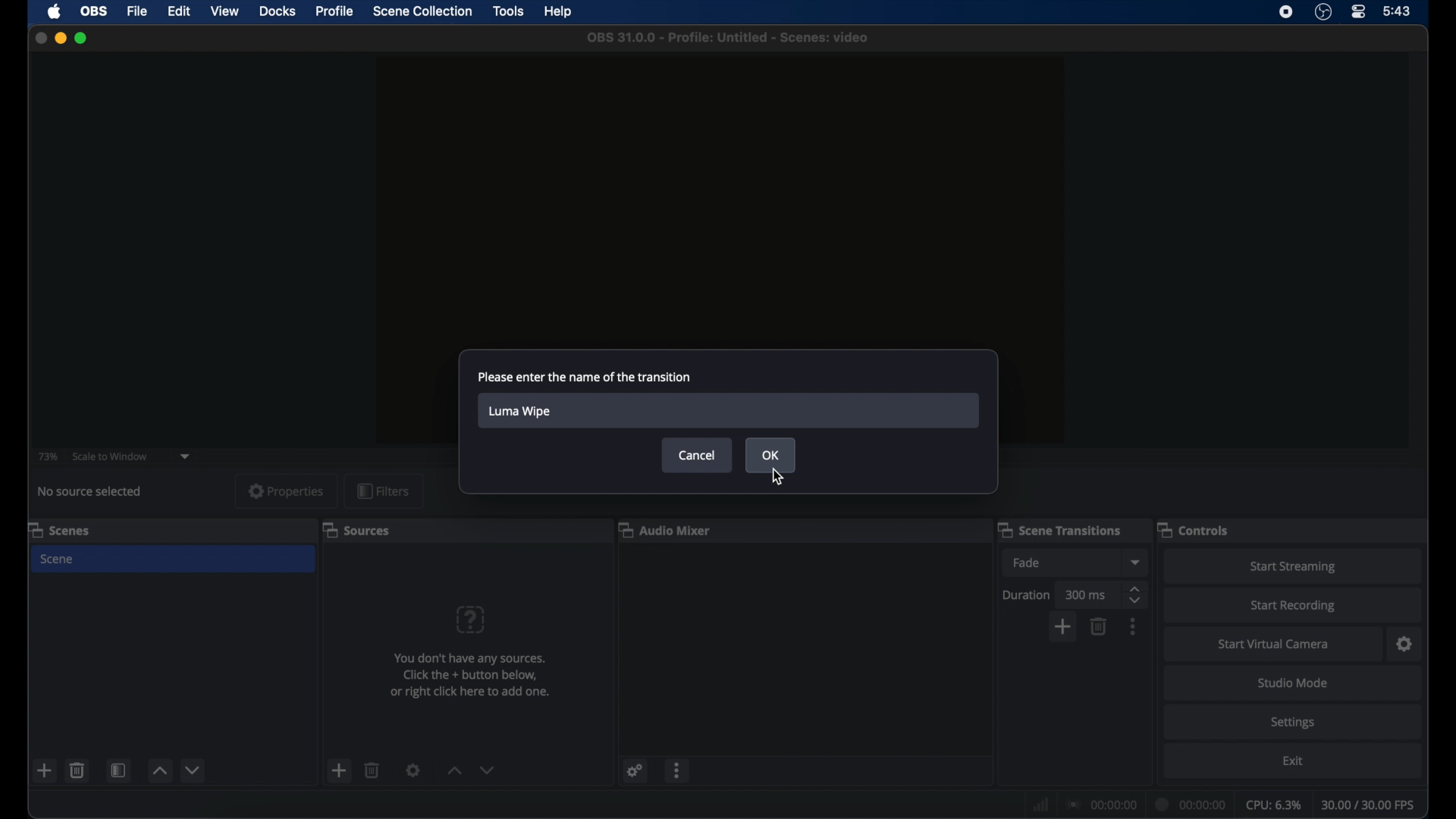 Image resolution: width=1456 pixels, height=819 pixels. I want to click on dropdown, so click(187, 455).